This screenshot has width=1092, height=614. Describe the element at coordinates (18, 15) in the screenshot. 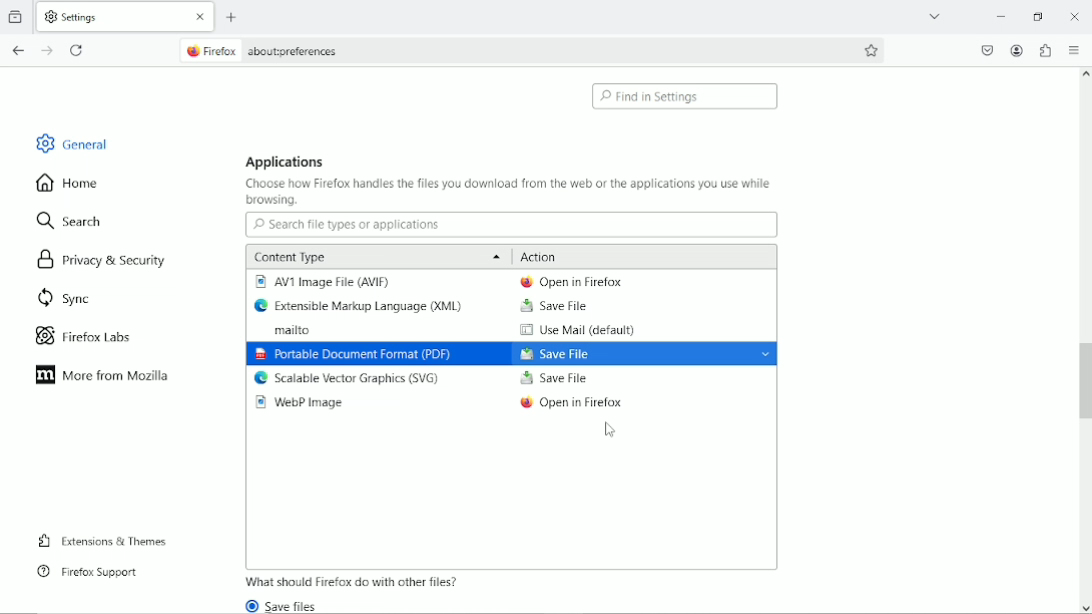

I see `View recent browsing` at that location.